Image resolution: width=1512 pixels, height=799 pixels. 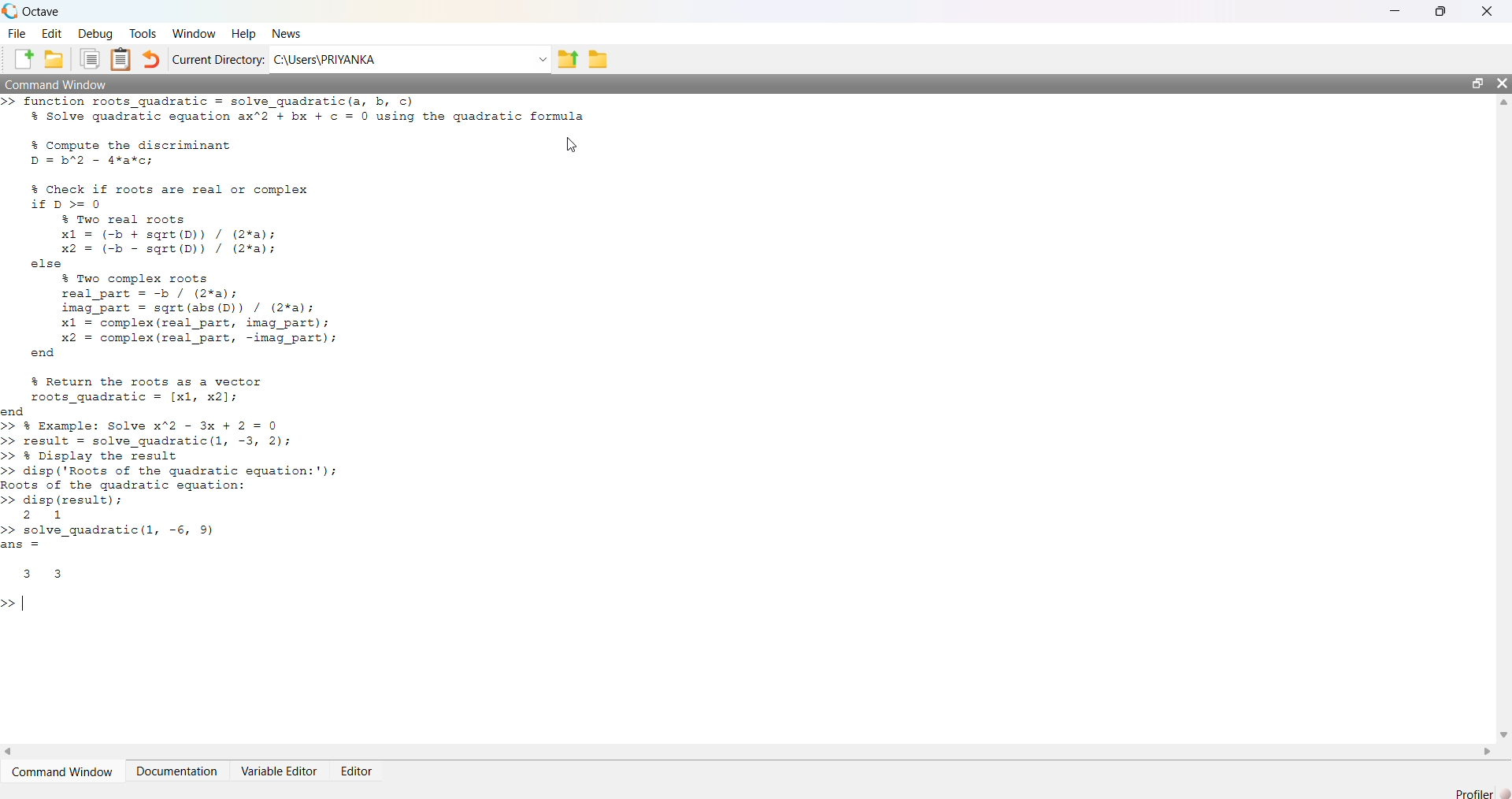 I want to click on Command Window, so click(x=61, y=82).